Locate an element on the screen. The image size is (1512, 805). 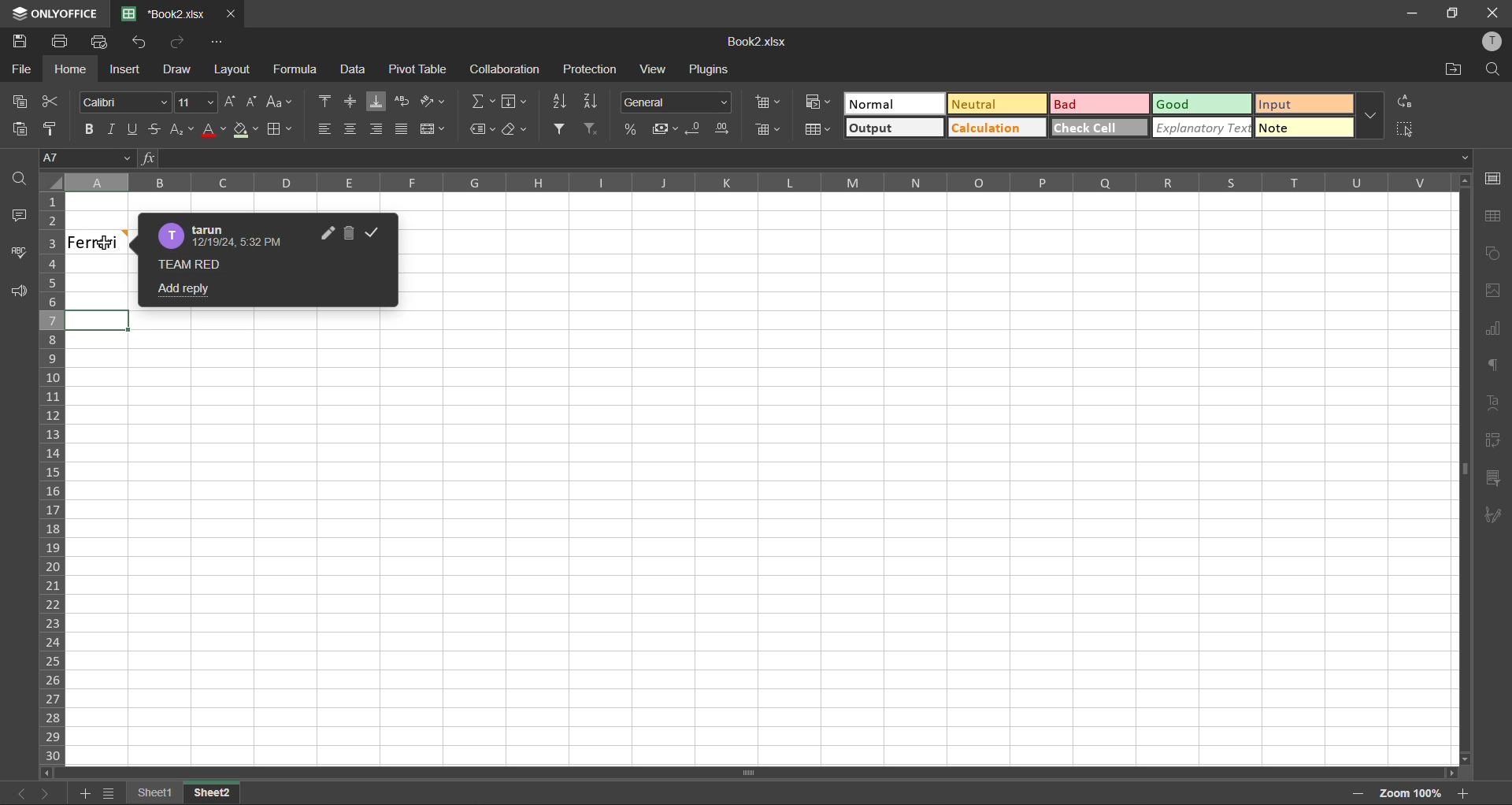
text is located at coordinates (1495, 402).